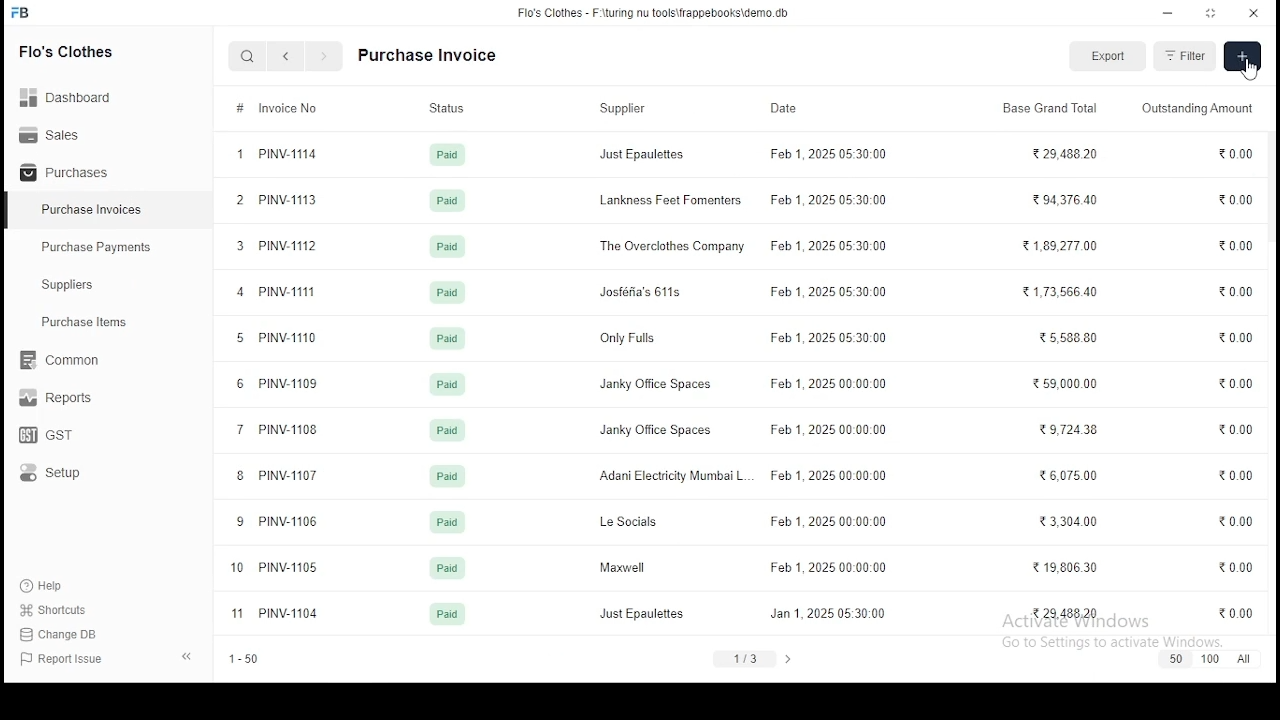  I want to click on 29,488.20, so click(1065, 612).